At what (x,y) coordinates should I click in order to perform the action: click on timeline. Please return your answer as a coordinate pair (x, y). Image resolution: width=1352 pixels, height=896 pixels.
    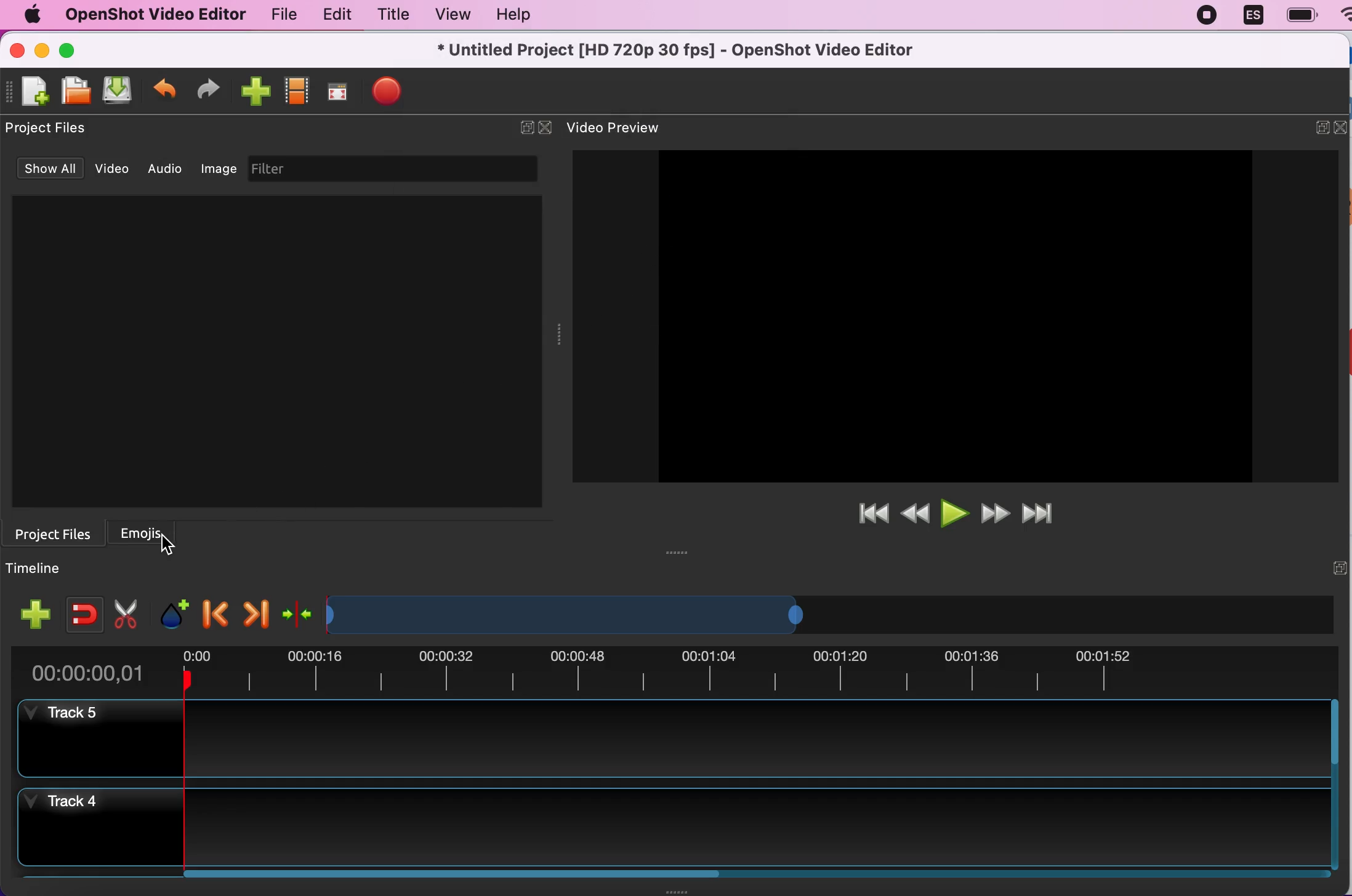
    Looking at the image, I should click on (40, 569).